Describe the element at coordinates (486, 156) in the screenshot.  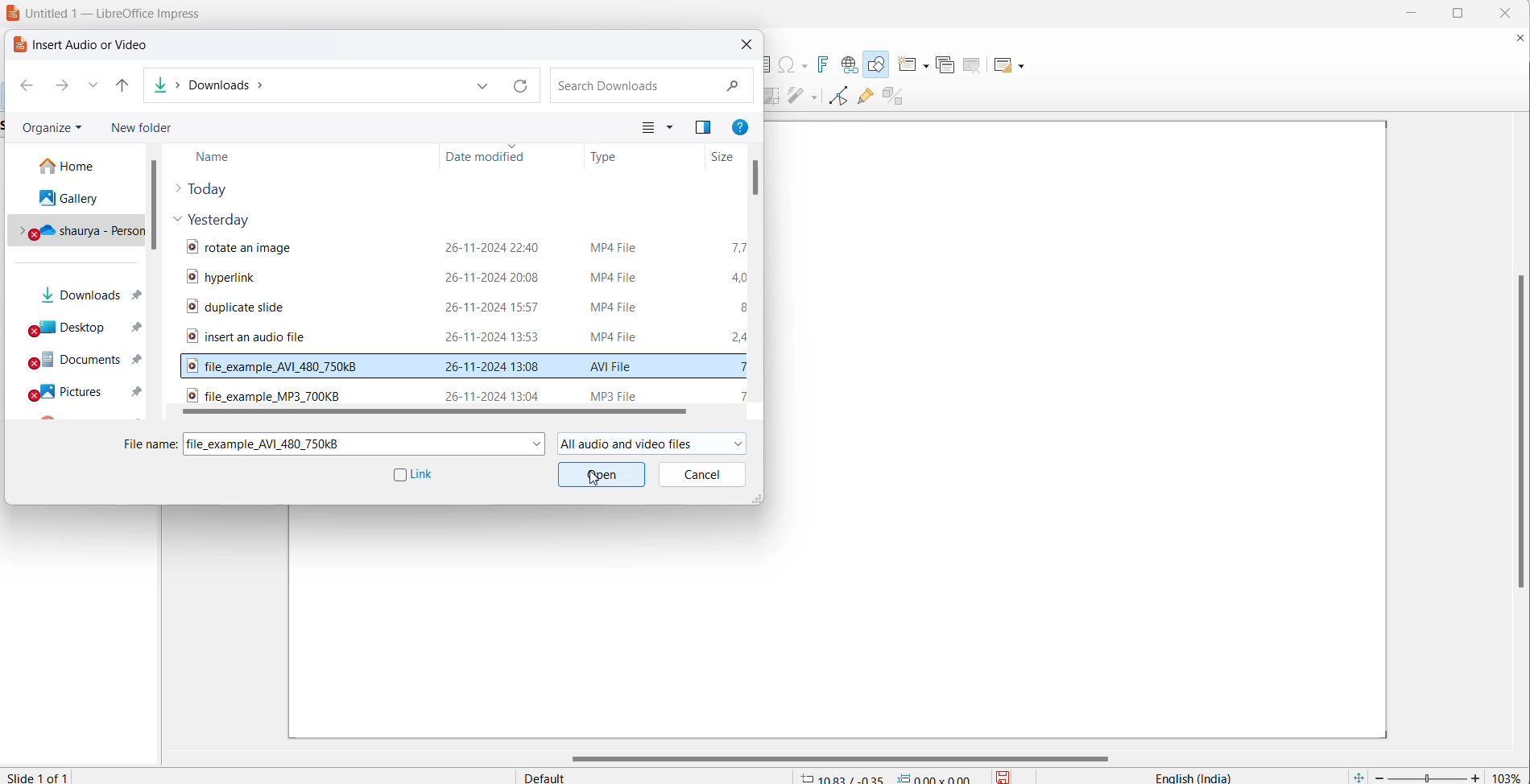
I see `date modified heading` at that location.